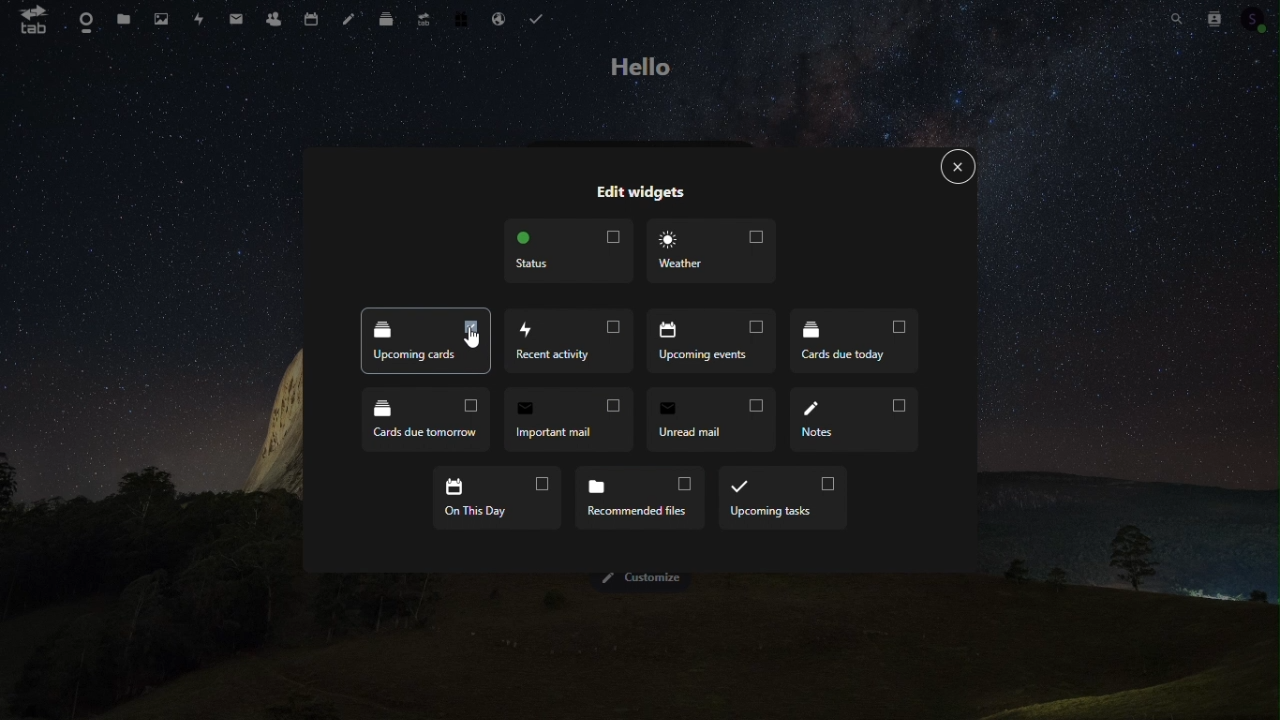 The height and width of the screenshot is (720, 1280). Describe the element at coordinates (125, 21) in the screenshot. I see `Files` at that location.